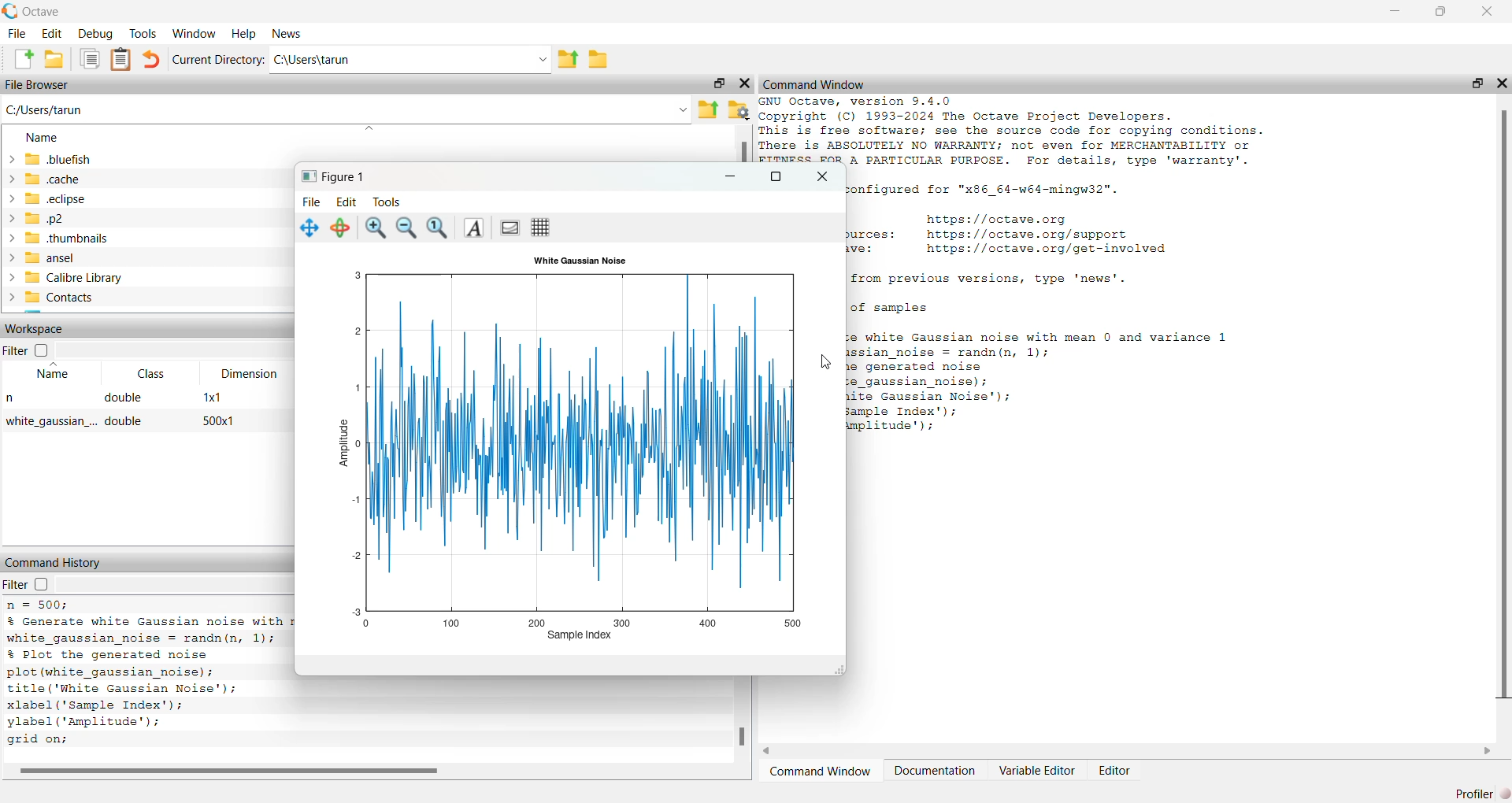 This screenshot has width=1512, height=803. Describe the element at coordinates (120, 59) in the screenshot. I see `document clipboard` at that location.